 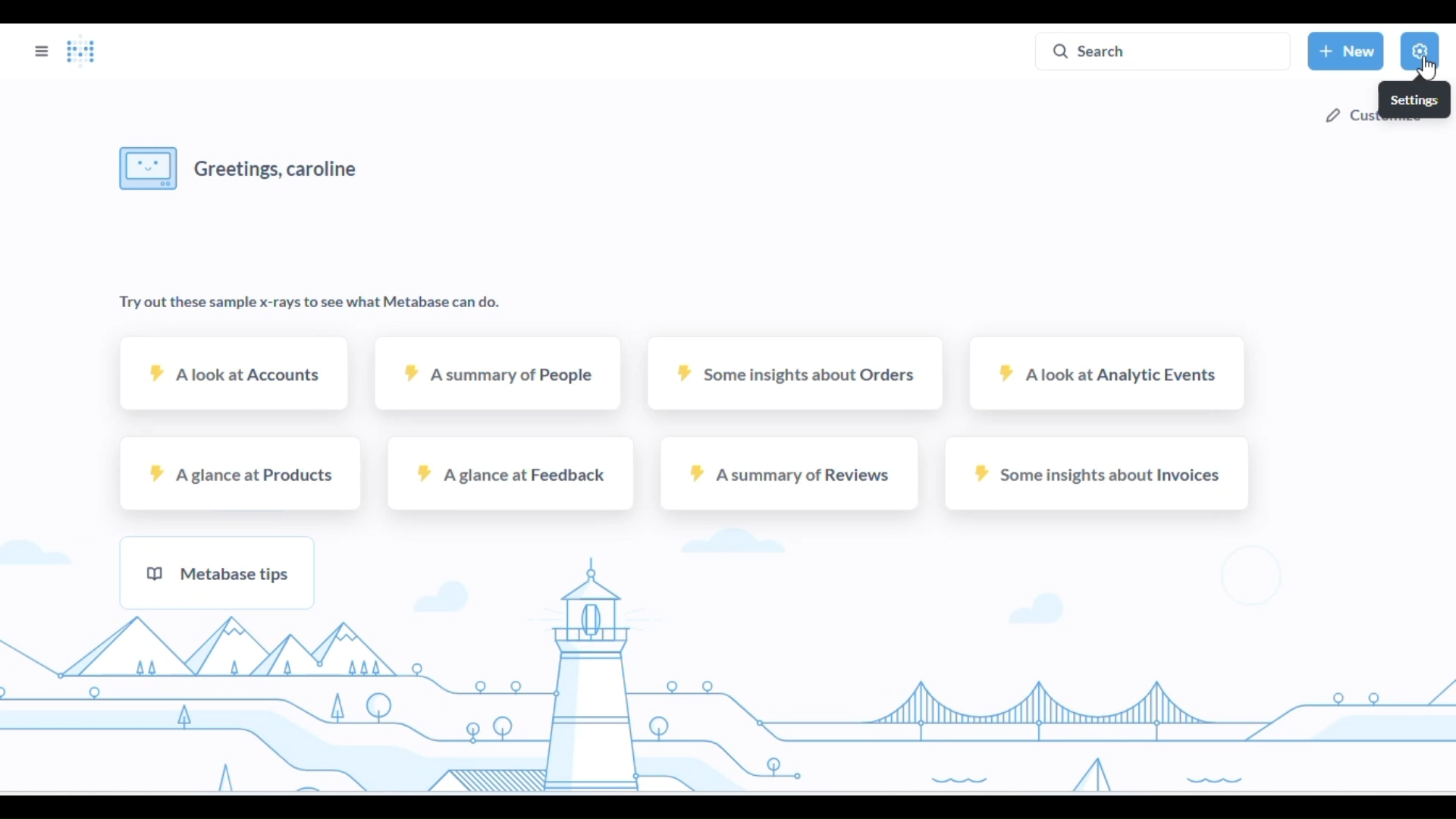 What do you see at coordinates (1414, 99) in the screenshot?
I see `settings` at bounding box center [1414, 99].